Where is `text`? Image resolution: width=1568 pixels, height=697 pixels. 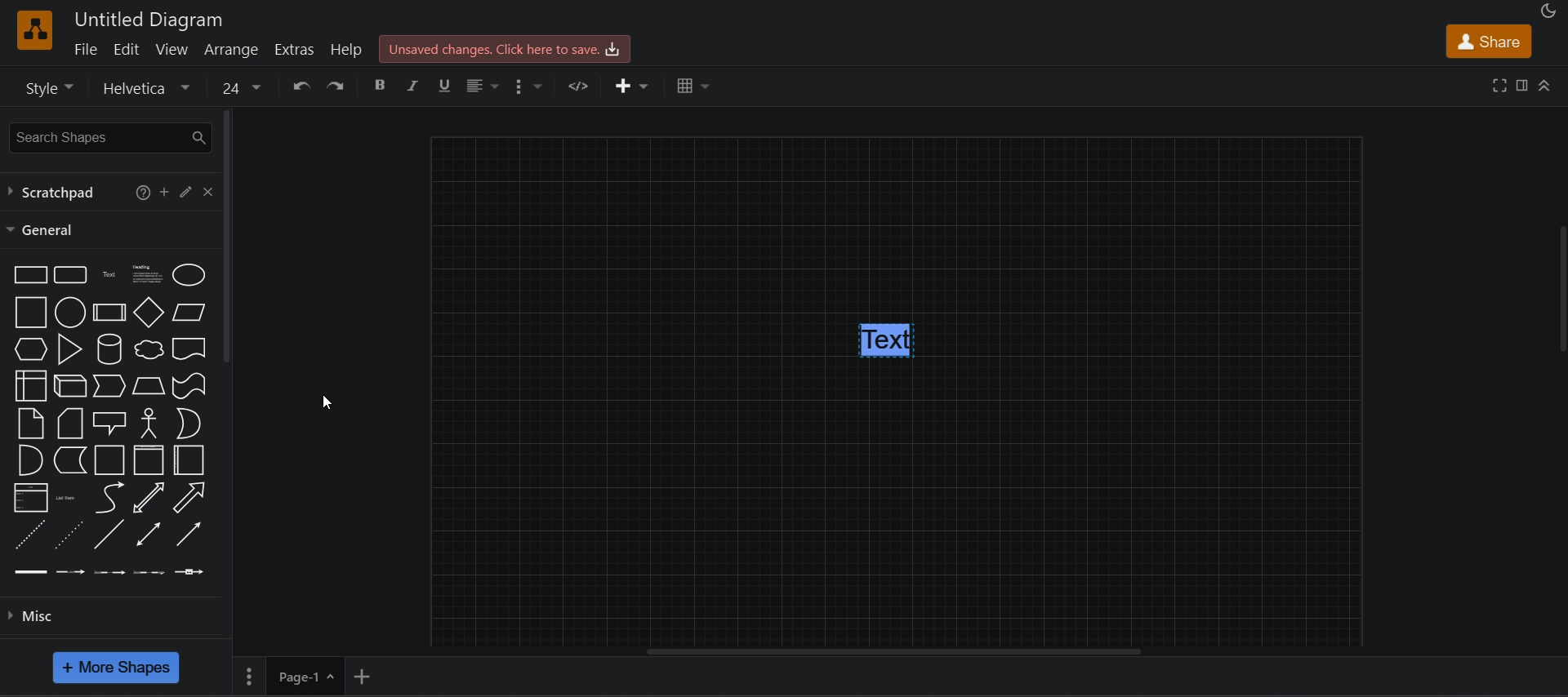 text is located at coordinates (887, 338).